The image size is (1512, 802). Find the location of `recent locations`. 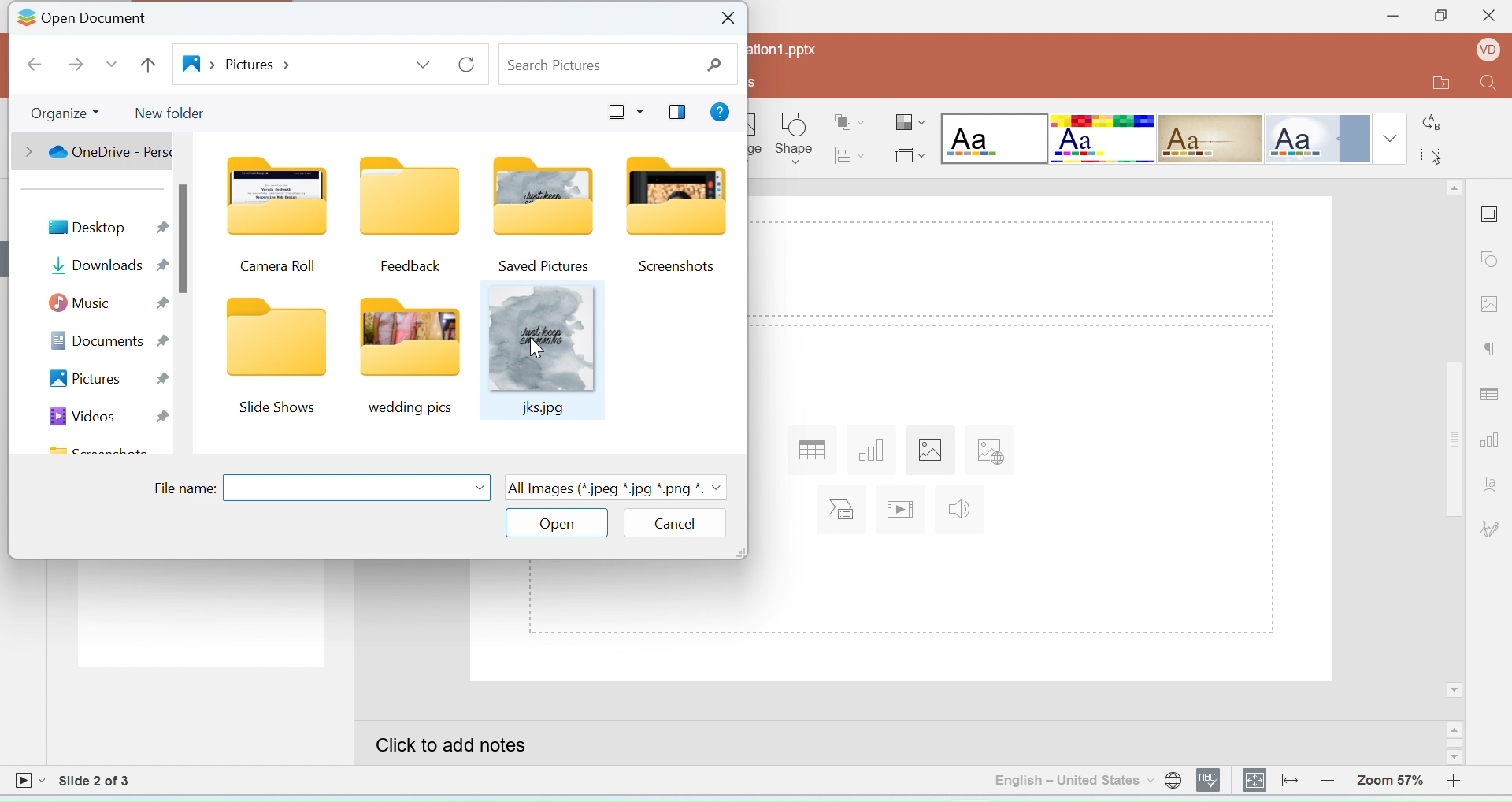

recent locations is located at coordinates (112, 65).